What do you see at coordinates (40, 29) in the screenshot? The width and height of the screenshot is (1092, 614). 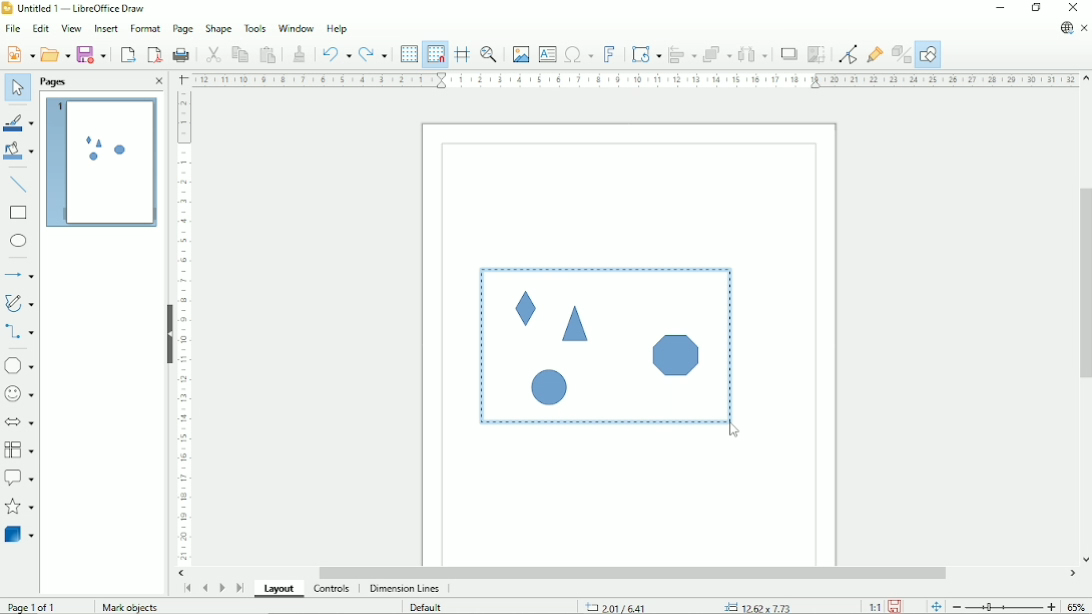 I see `Edit` at bounding box center [40, 29].